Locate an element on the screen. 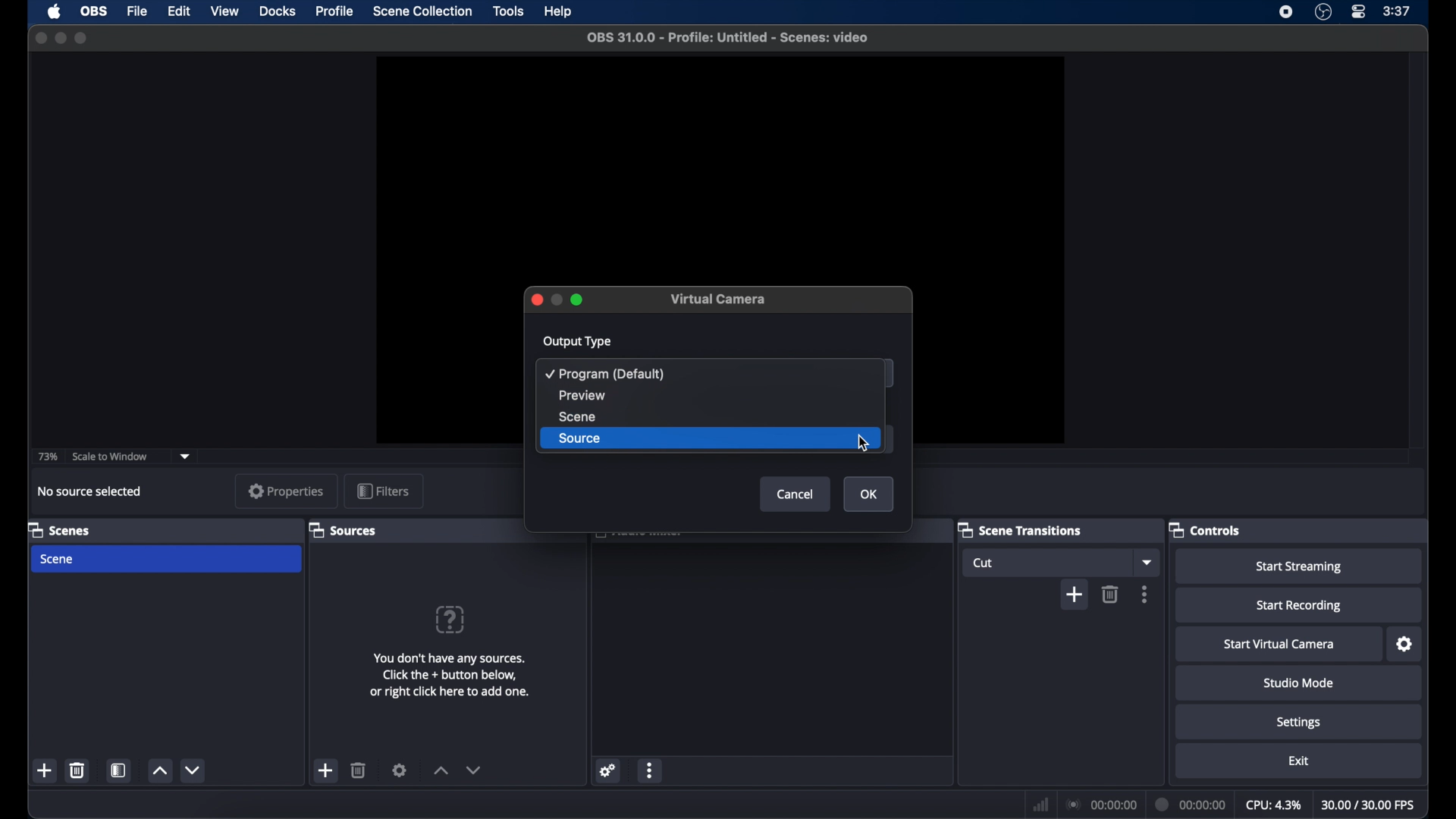 The width and height of the screenshot is (1456, 819). scenes is located at coordinates (58, 529).